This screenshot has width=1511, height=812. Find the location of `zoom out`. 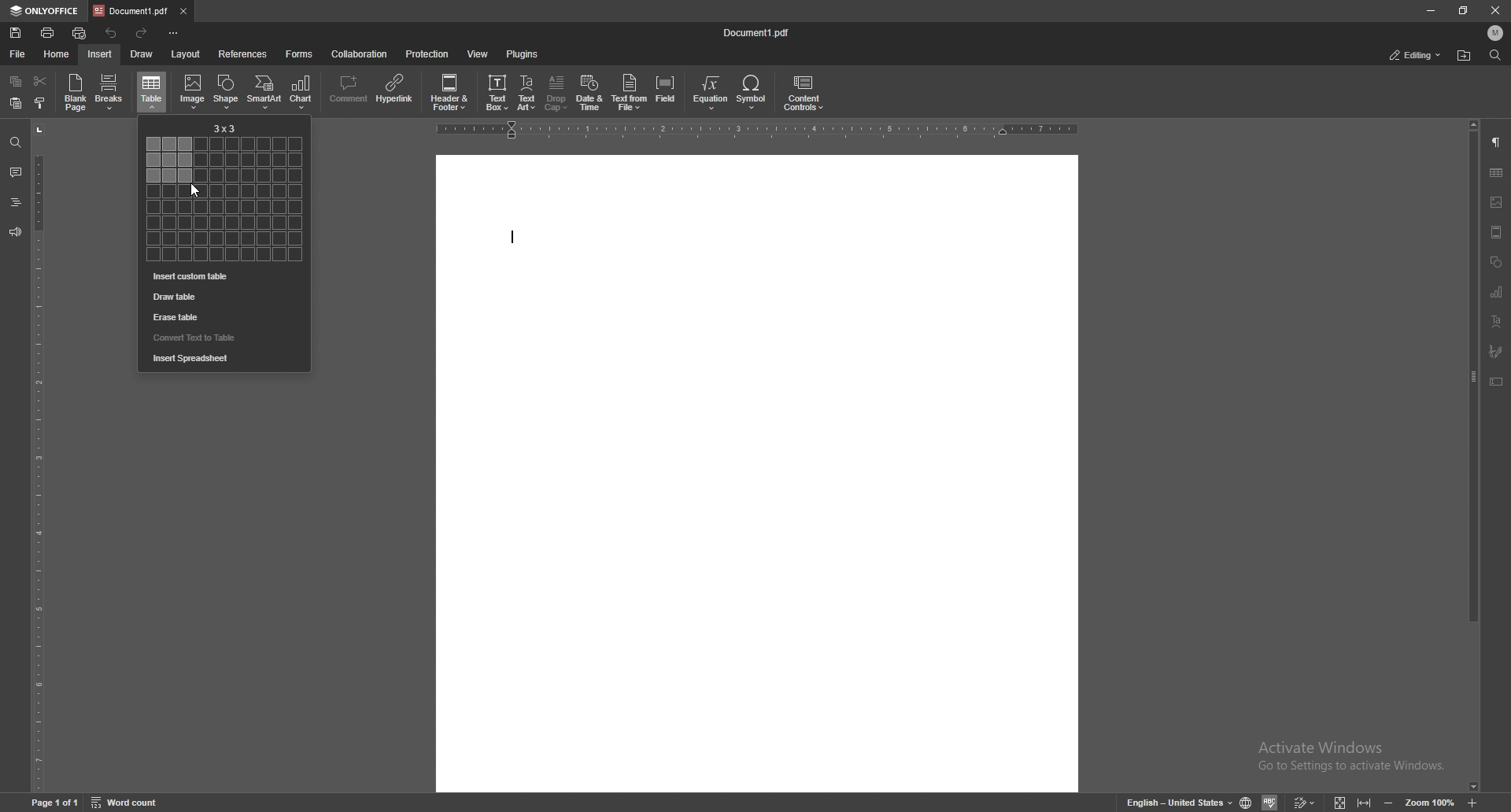

zoom out is located at coordinates (1391, 802).